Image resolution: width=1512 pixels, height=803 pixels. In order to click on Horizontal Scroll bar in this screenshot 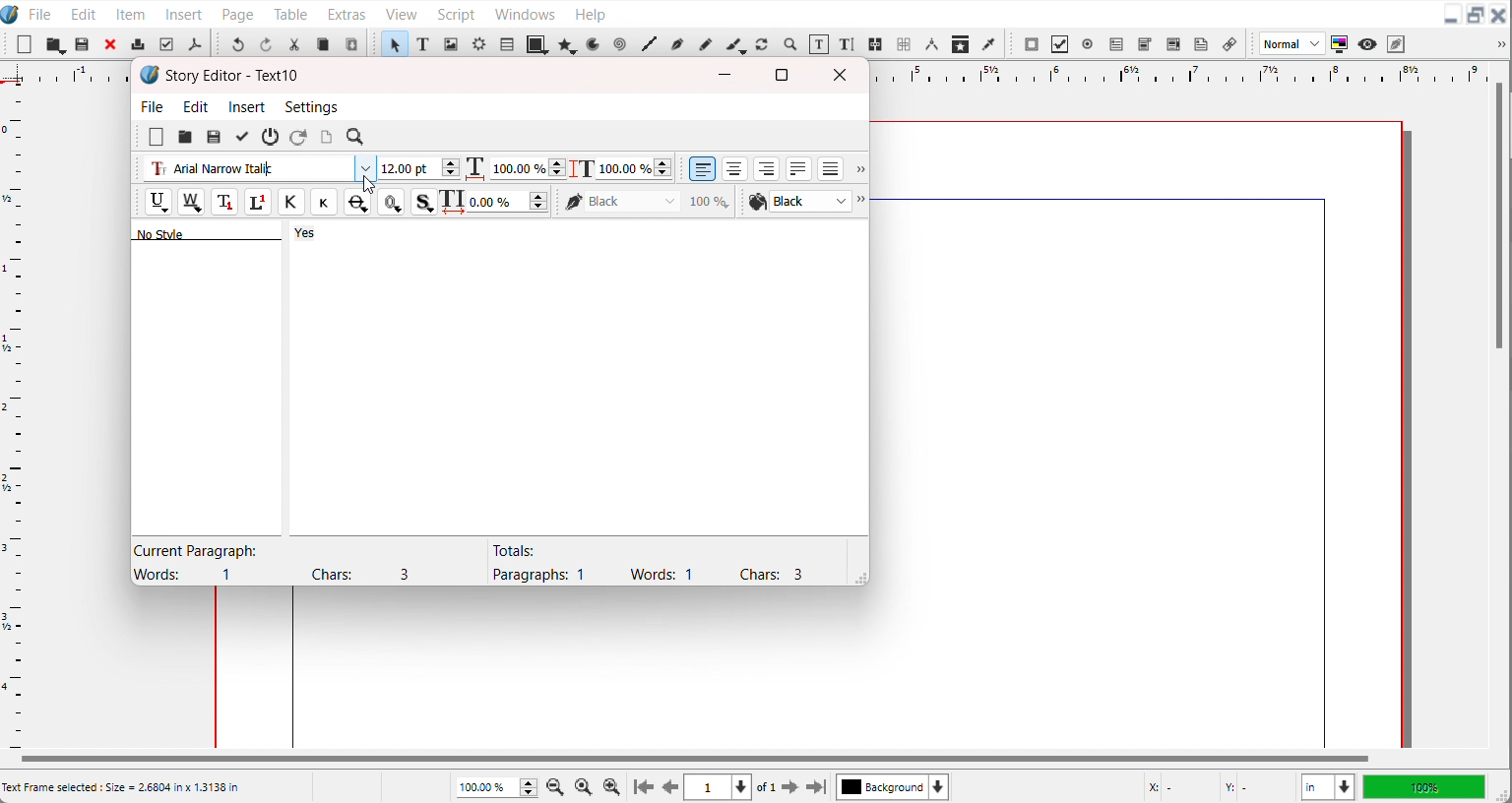, I will do `click(692, 759)`.